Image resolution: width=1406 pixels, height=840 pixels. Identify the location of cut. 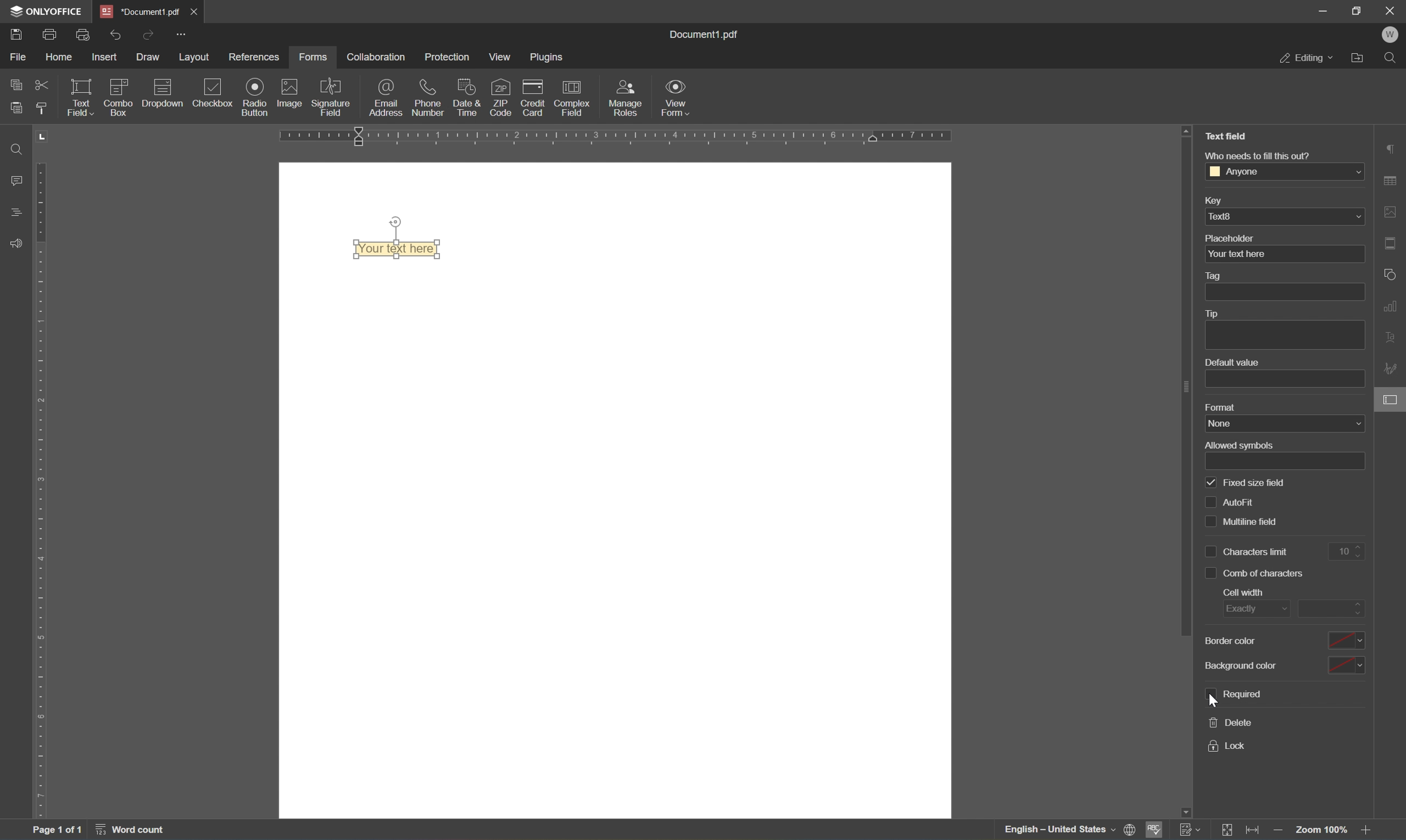
(41, 85).